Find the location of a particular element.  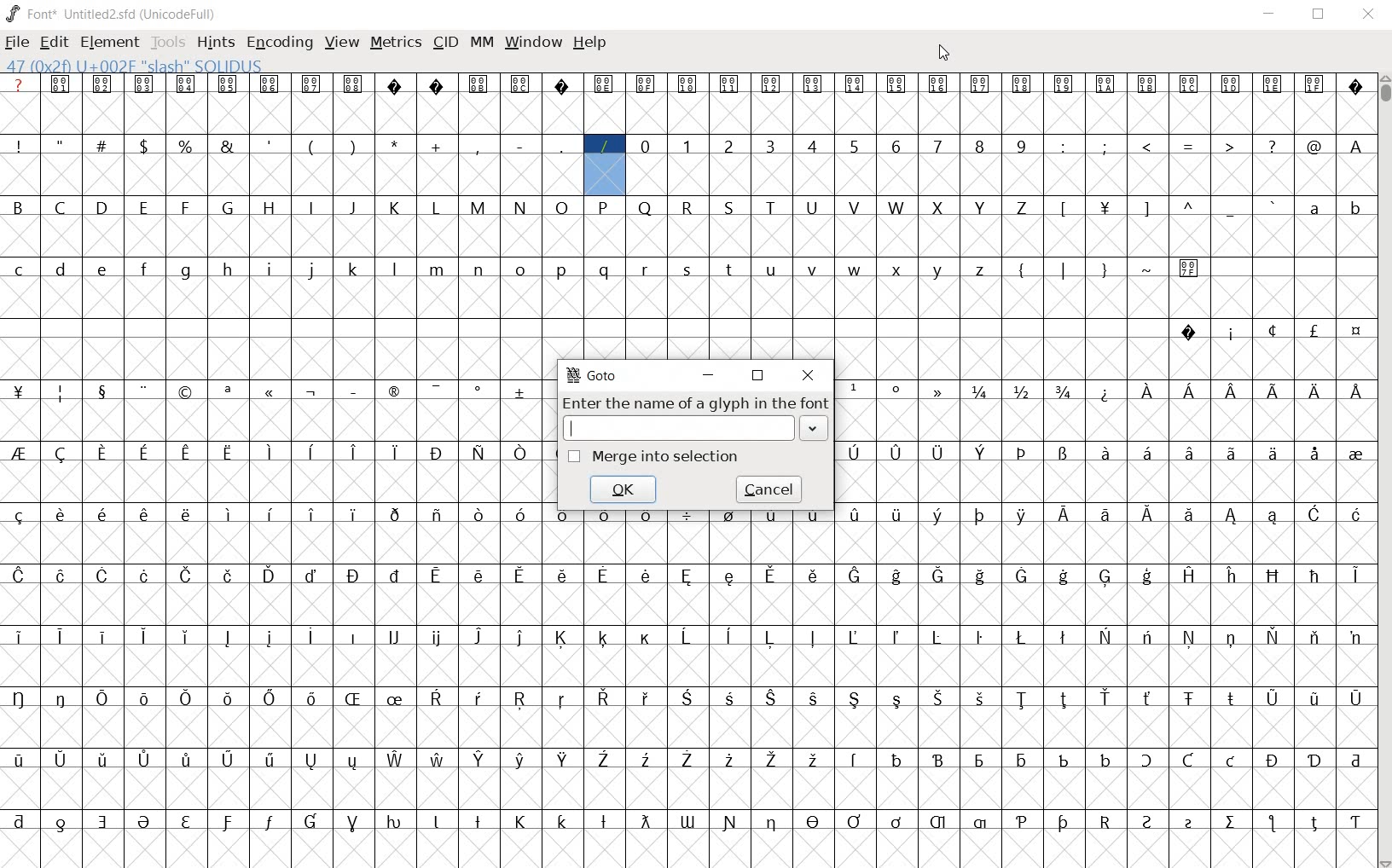

glyph is located at coordinates (103, 393).